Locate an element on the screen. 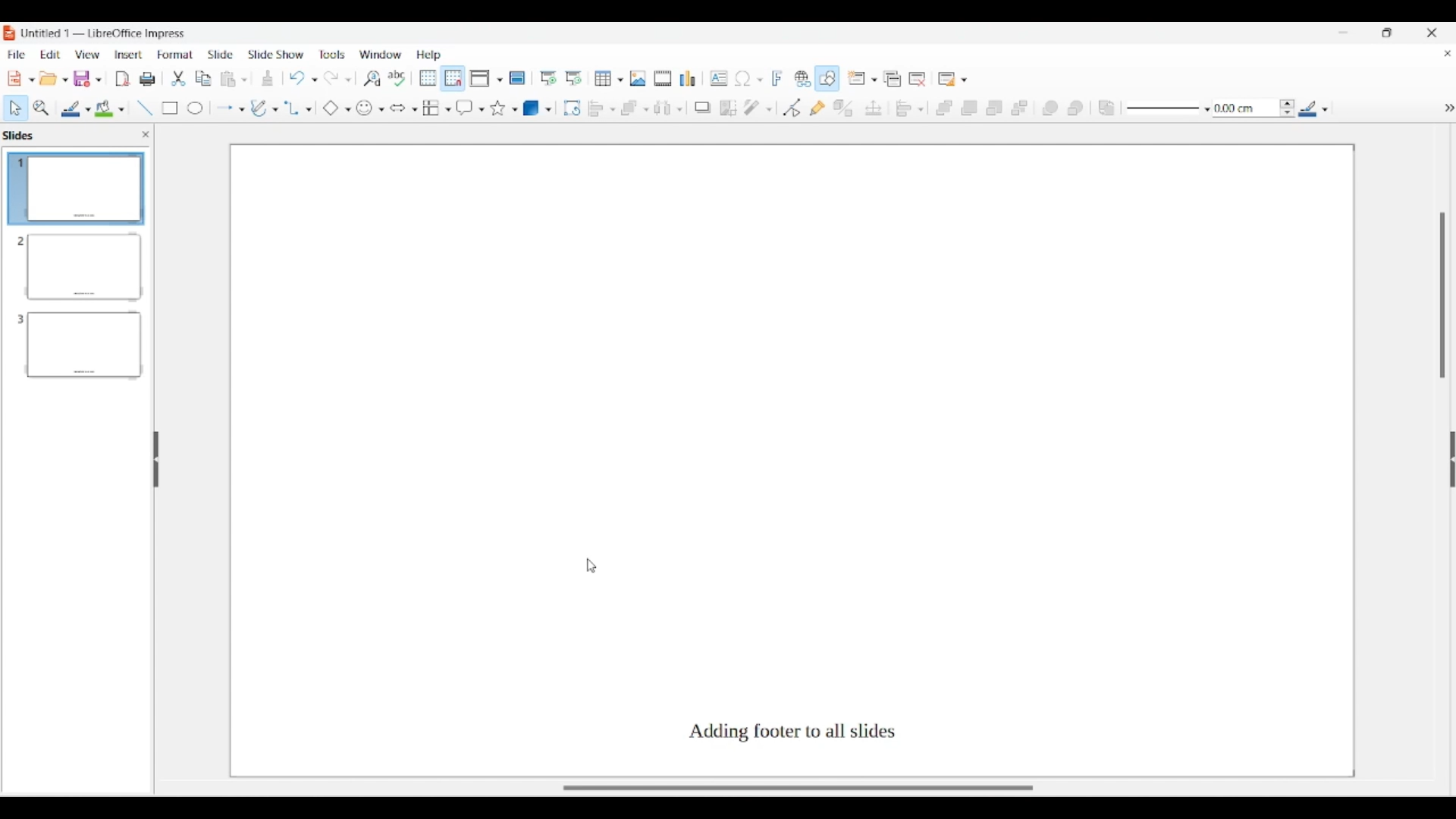 The width and height of the screenshot is (1456, 819). Rotate is located at coordinates (573, 108).